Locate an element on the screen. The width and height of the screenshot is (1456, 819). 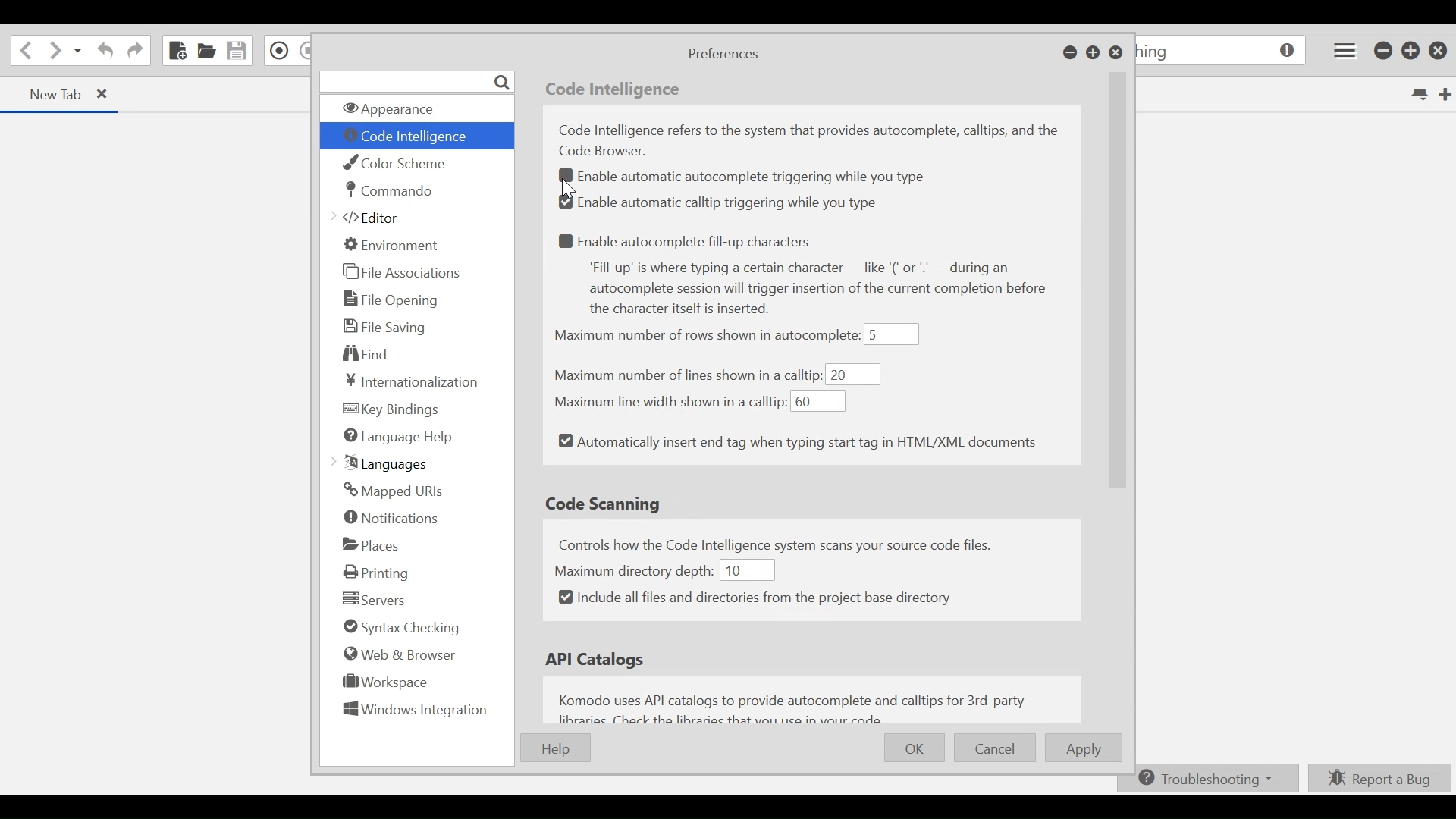
maximize is located at coordinates (1412, 52).